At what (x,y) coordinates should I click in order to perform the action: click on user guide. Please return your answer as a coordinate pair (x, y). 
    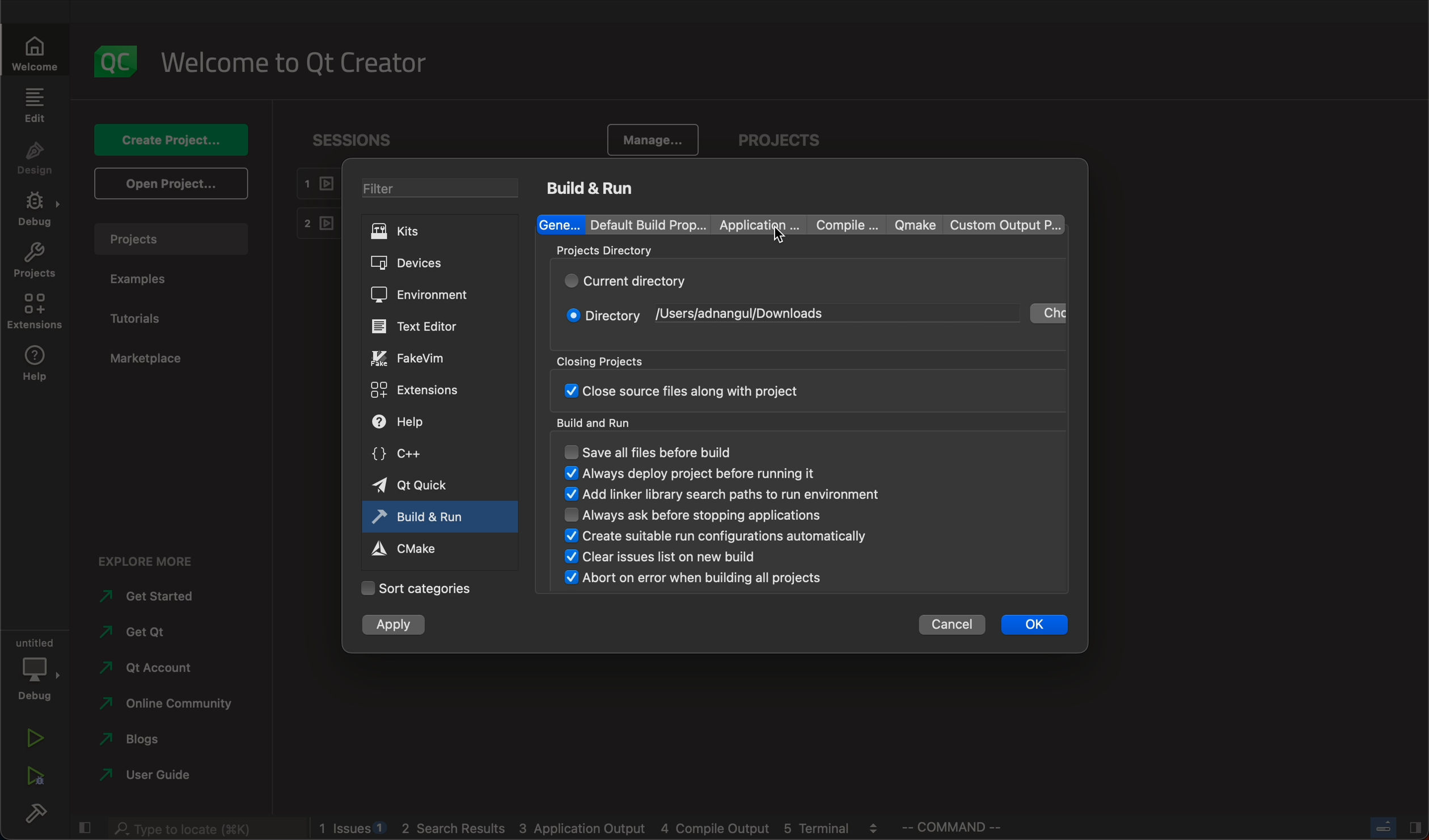
    Looking at the image, I should click on (152, 775).